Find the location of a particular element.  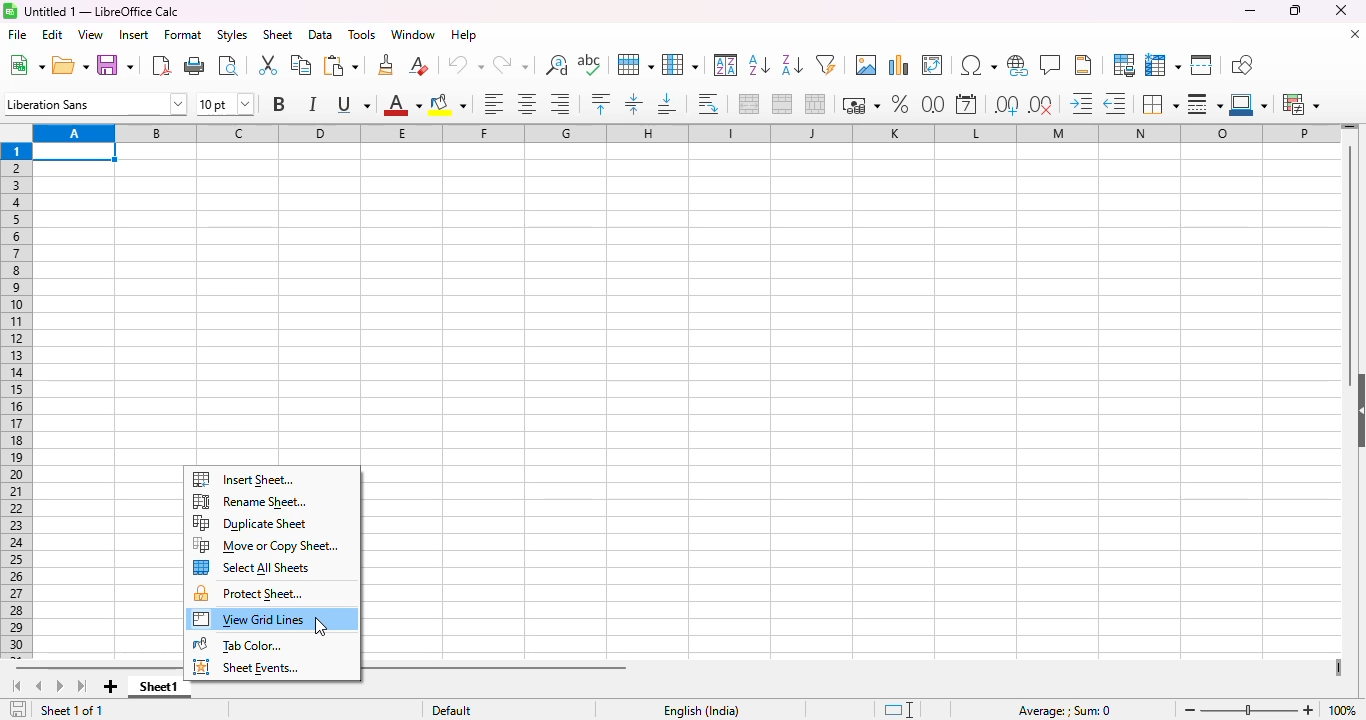

scroll to last sheet is located at coordinates (82, 687).